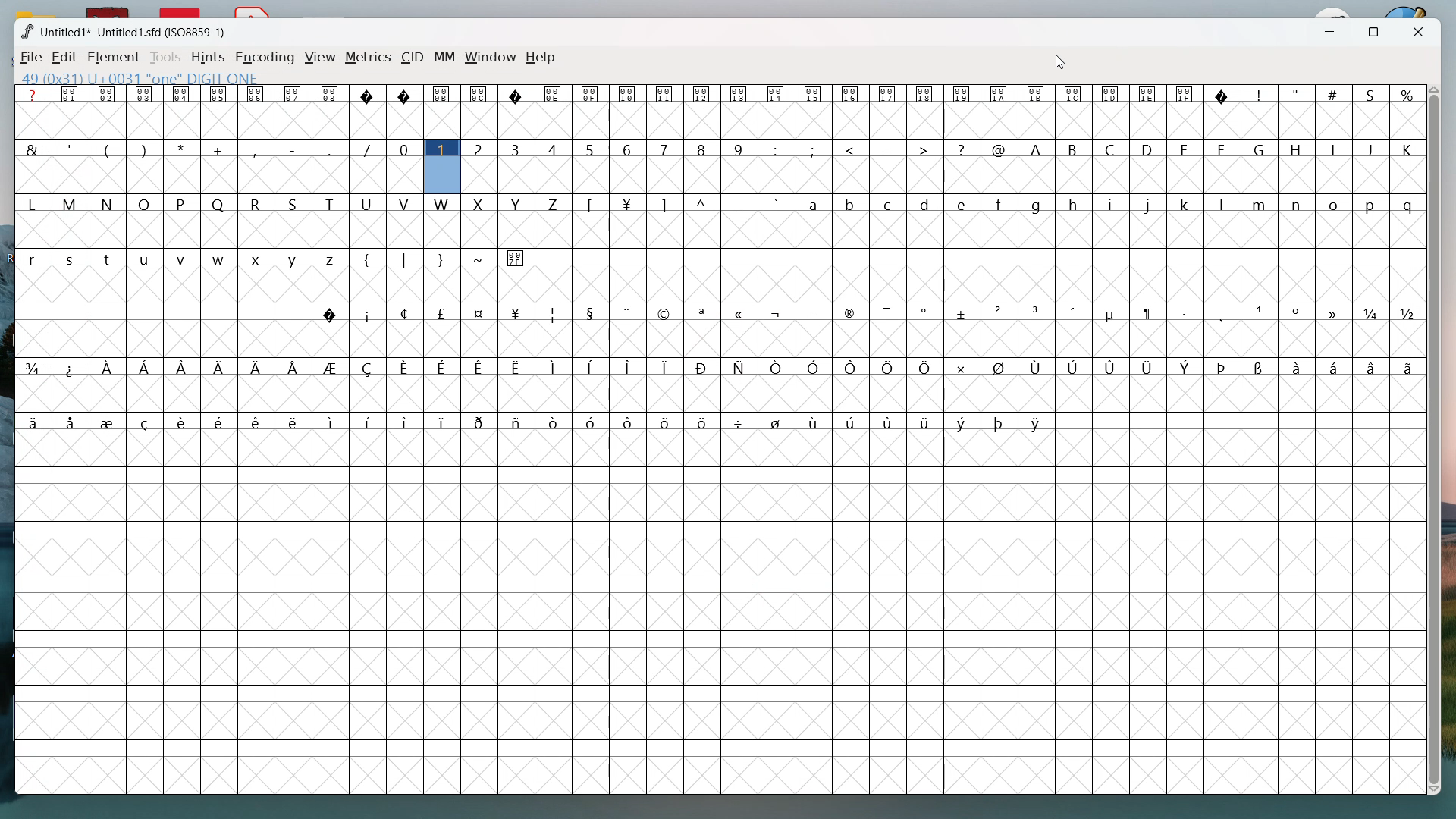 This screenshot has width=1456, height=819. What do you see at coordinates (886, 96) in the screenshot?
I see `symbol` at bounding box center [886, 96].